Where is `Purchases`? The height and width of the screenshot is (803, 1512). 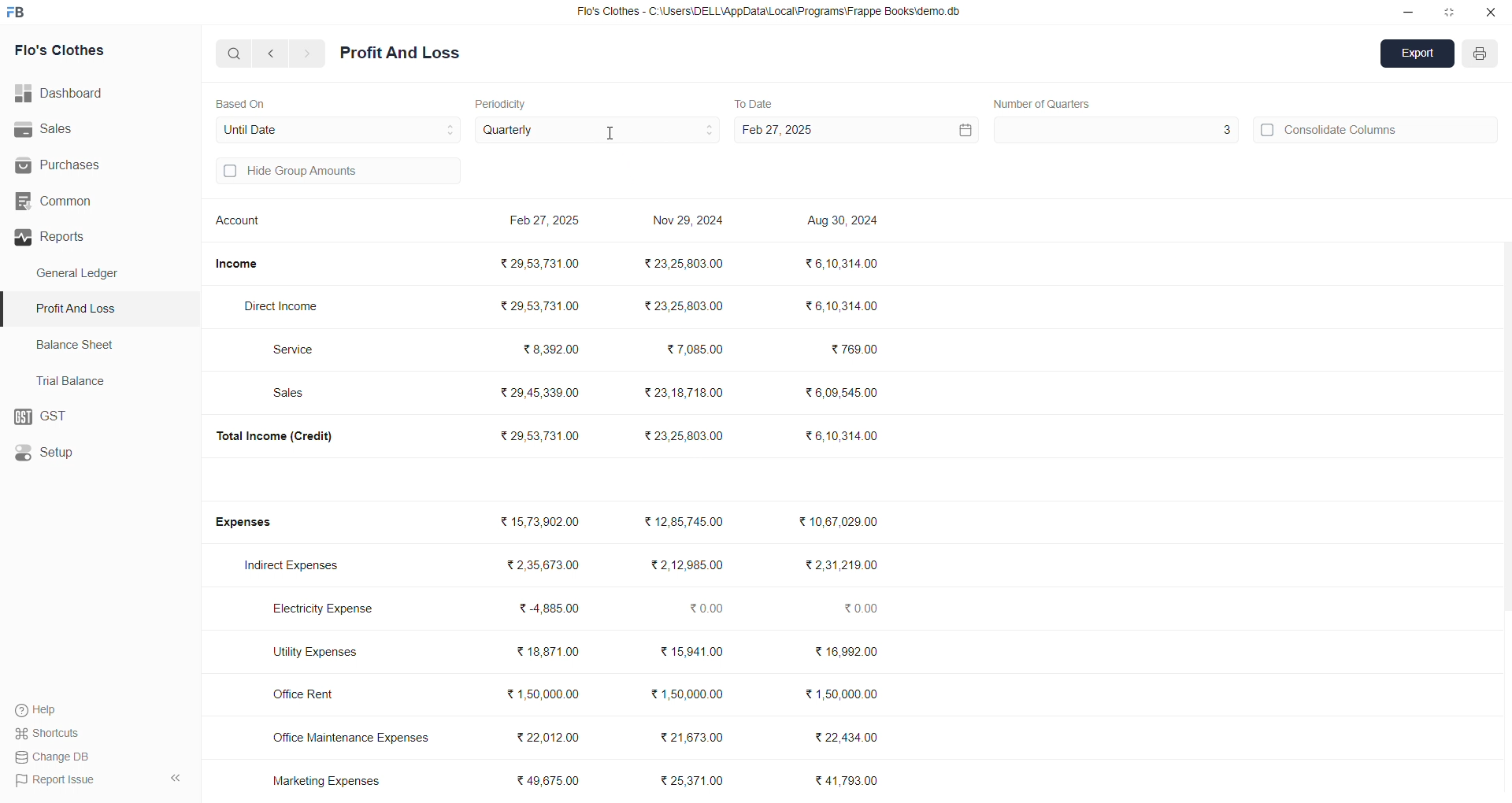
Purchases is located at coordinates (76, 165).